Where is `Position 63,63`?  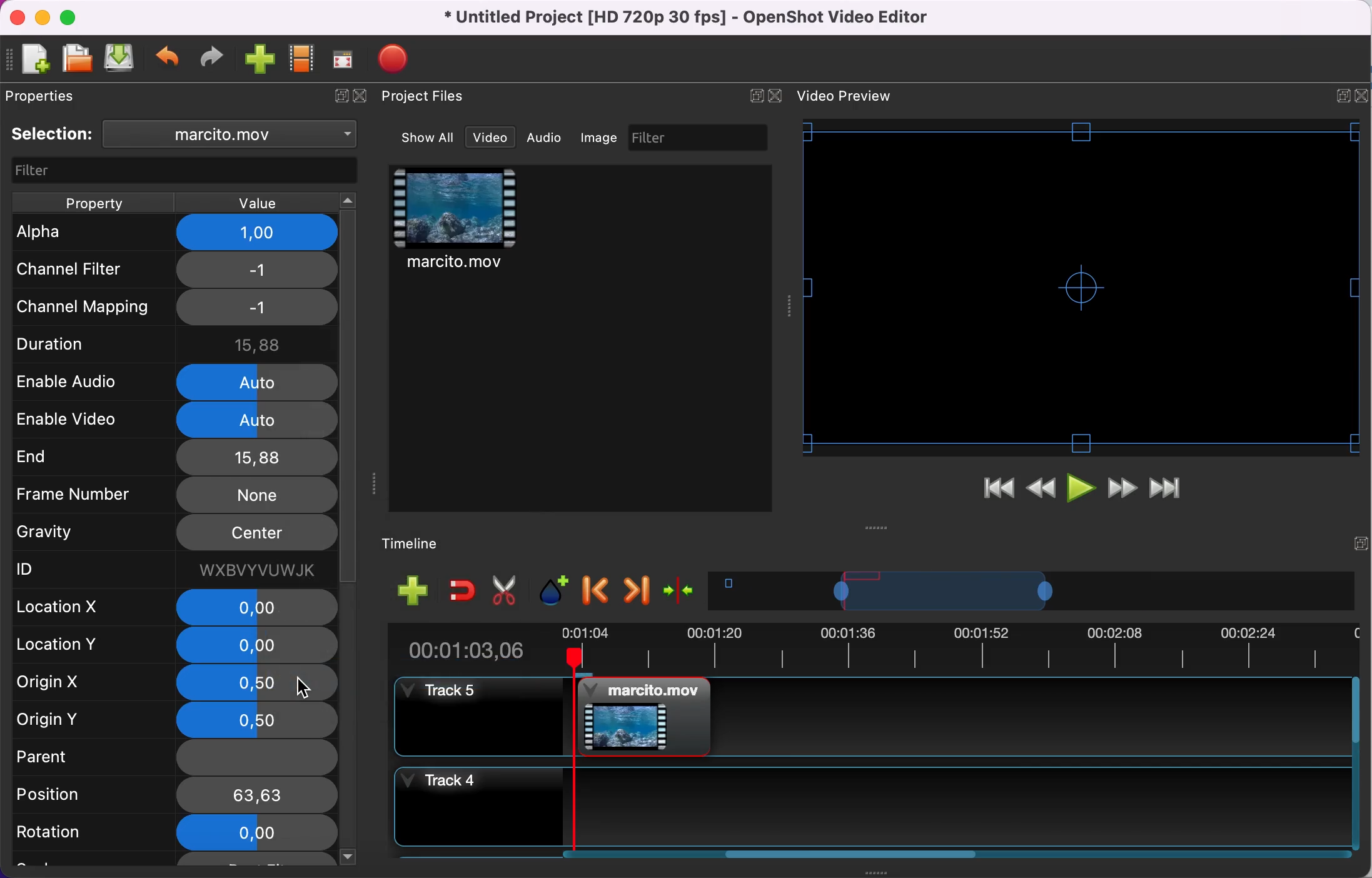
Position 63,63 is located at coordinates (172, 795).